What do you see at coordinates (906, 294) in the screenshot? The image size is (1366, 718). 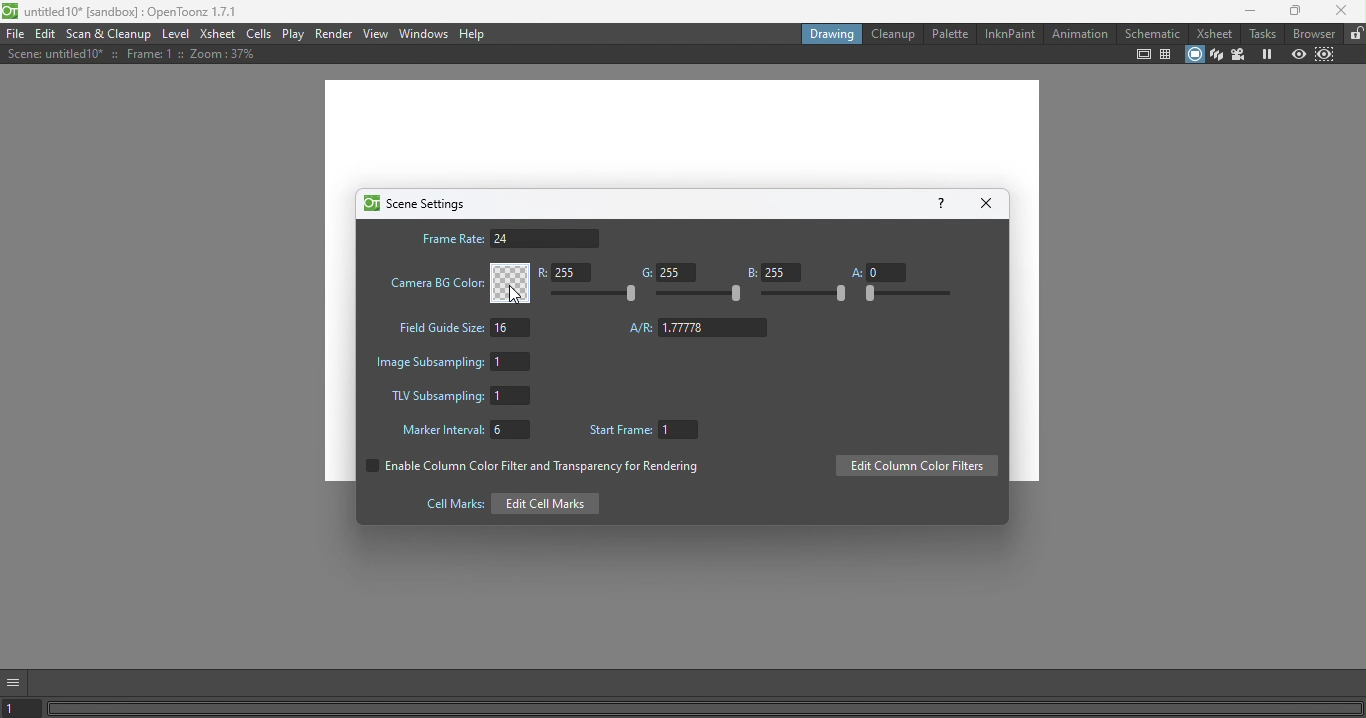 I see `Slide bar` at bounding box center [906, 294].